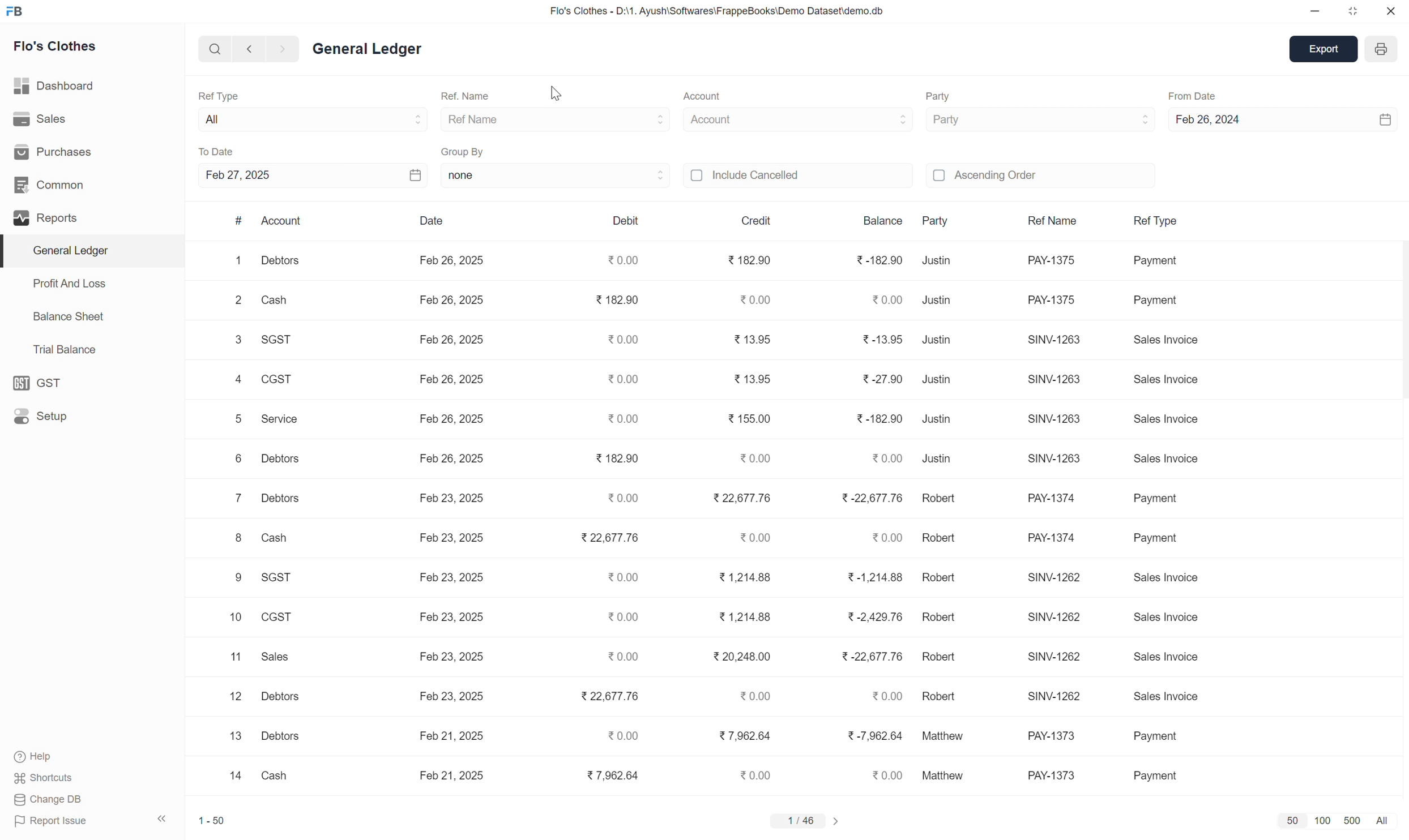 The image size is (1409, 840). What do you see at coordinates (938, 419) in the screenshot?
I see `justin` at bounding box center [938, 419].